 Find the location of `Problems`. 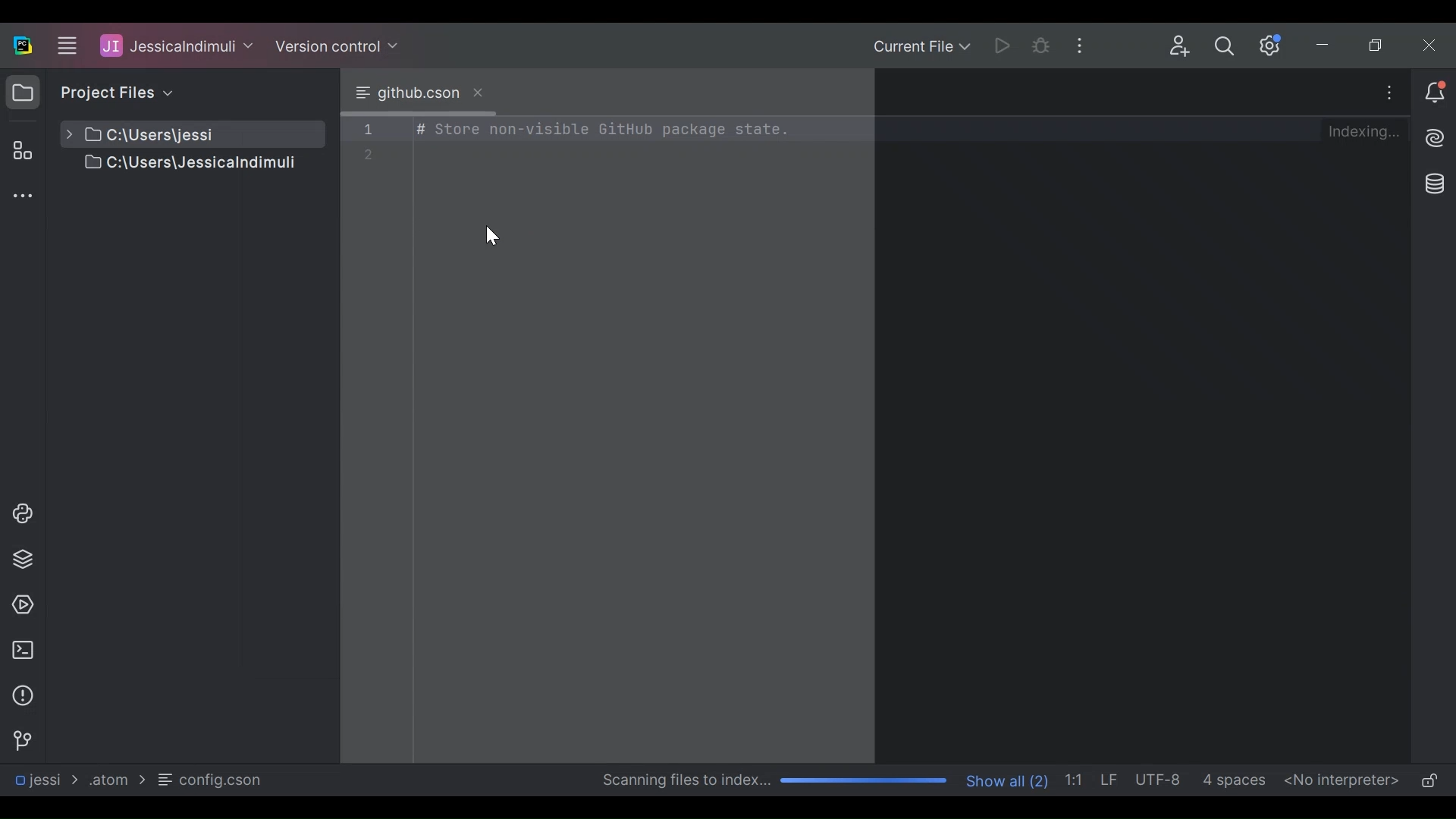

Problems is located at coordinates (23, 695).